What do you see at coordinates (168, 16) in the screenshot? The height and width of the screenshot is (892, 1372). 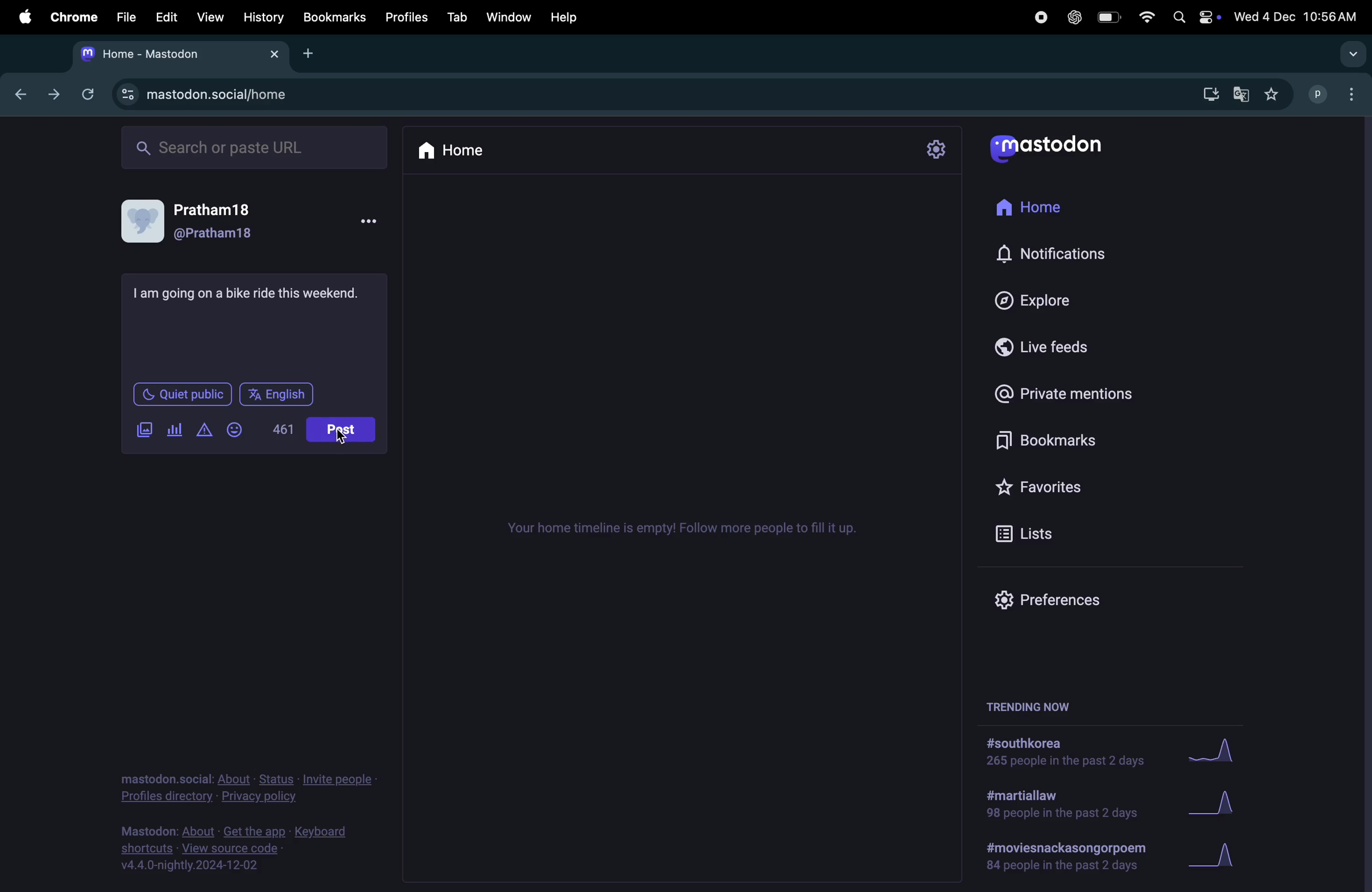 I see `Edit` at bounding box center [168, 16].